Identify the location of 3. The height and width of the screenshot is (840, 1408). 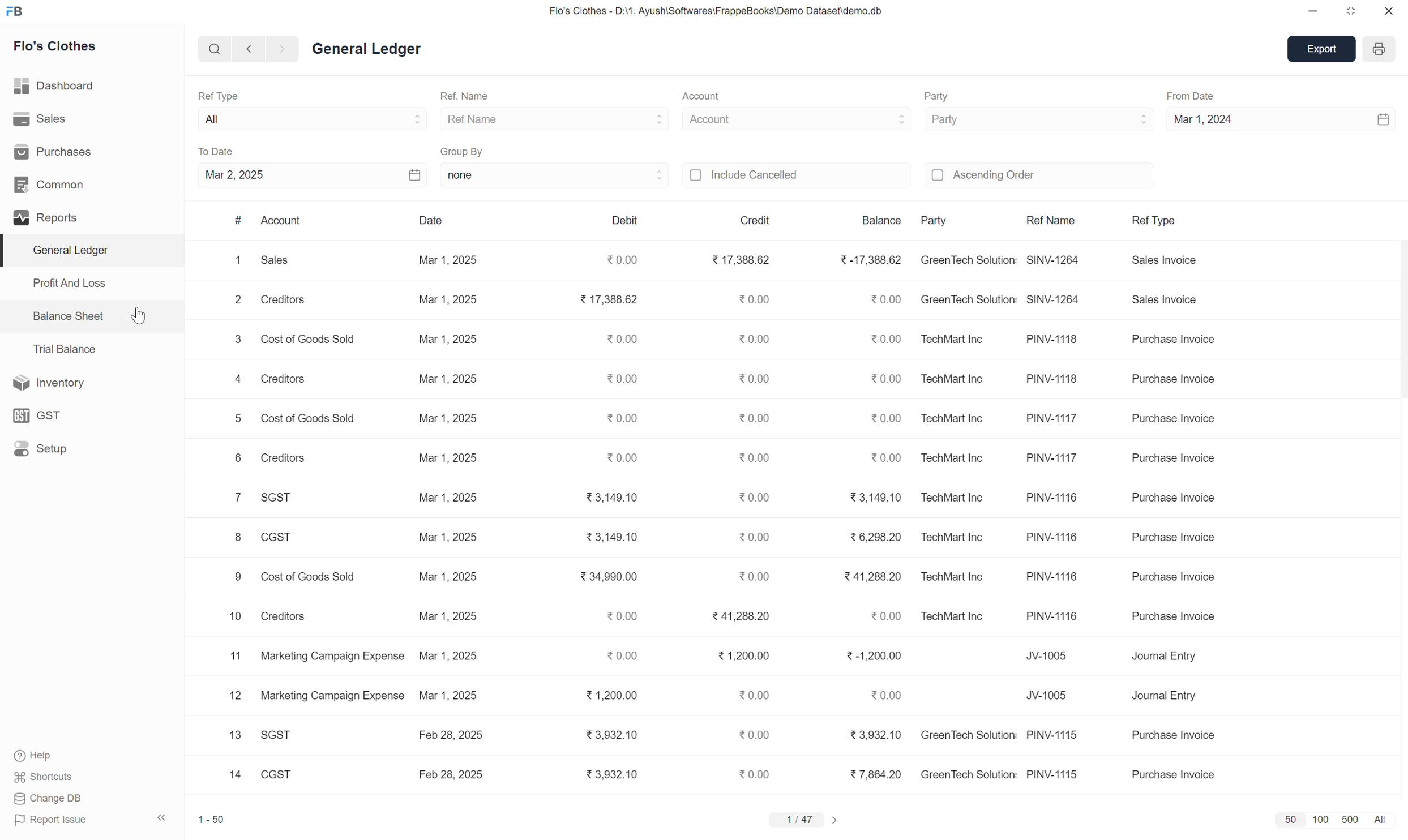
(238, 340).